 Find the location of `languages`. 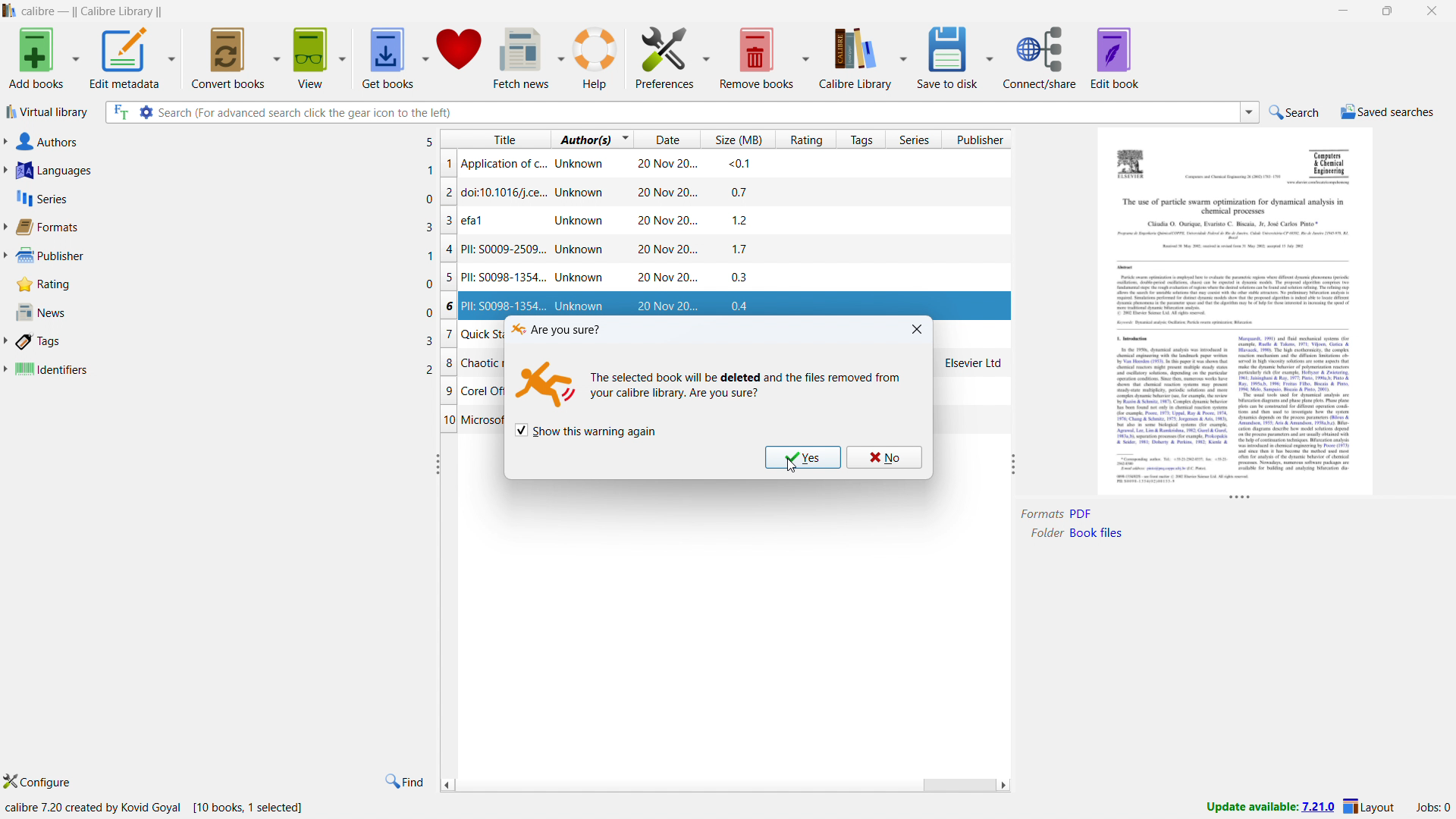

languages is located at coordinates (220, 171).